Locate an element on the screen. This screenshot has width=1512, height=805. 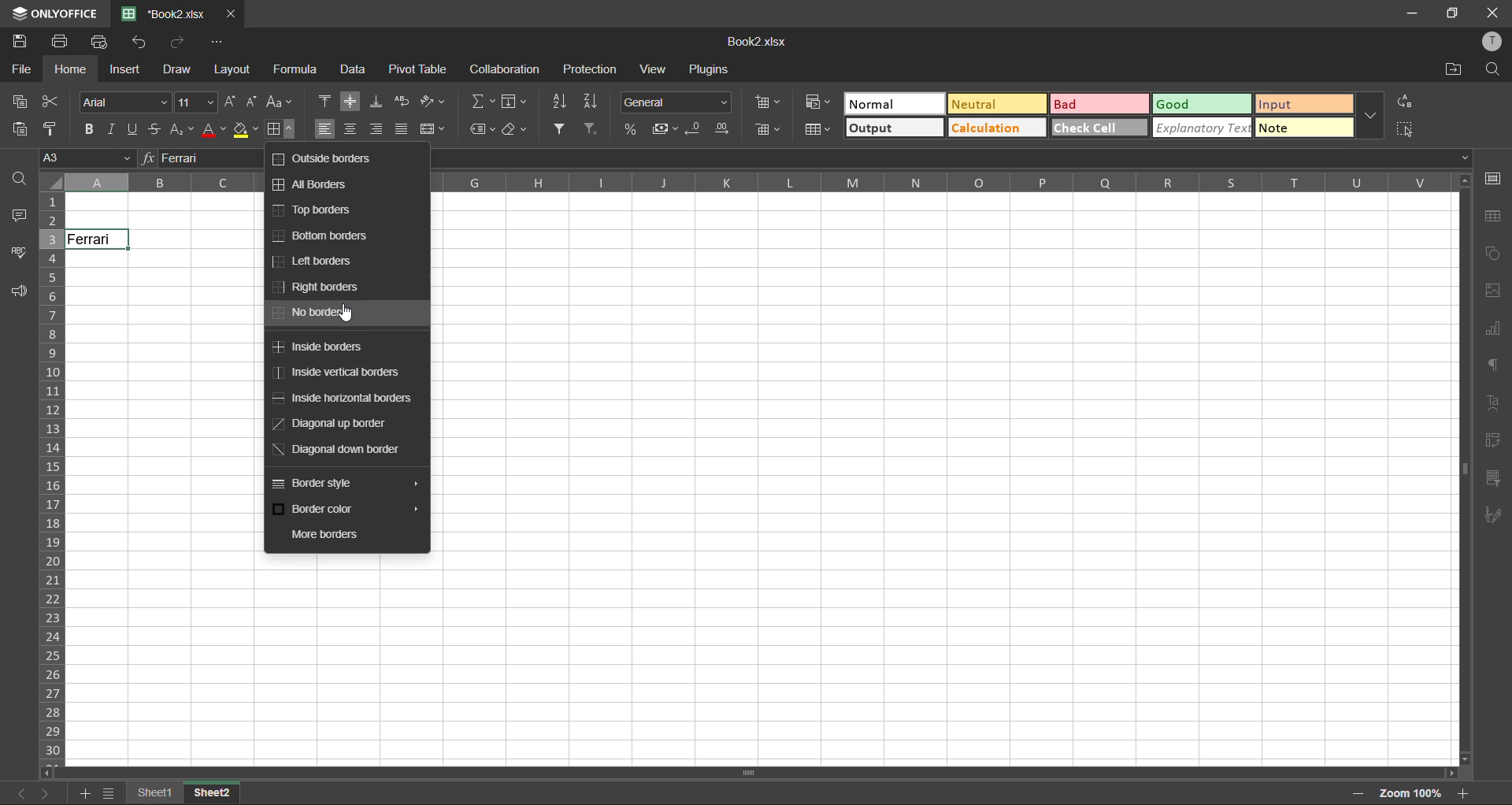
wrap is located at coordinates (404, 102).